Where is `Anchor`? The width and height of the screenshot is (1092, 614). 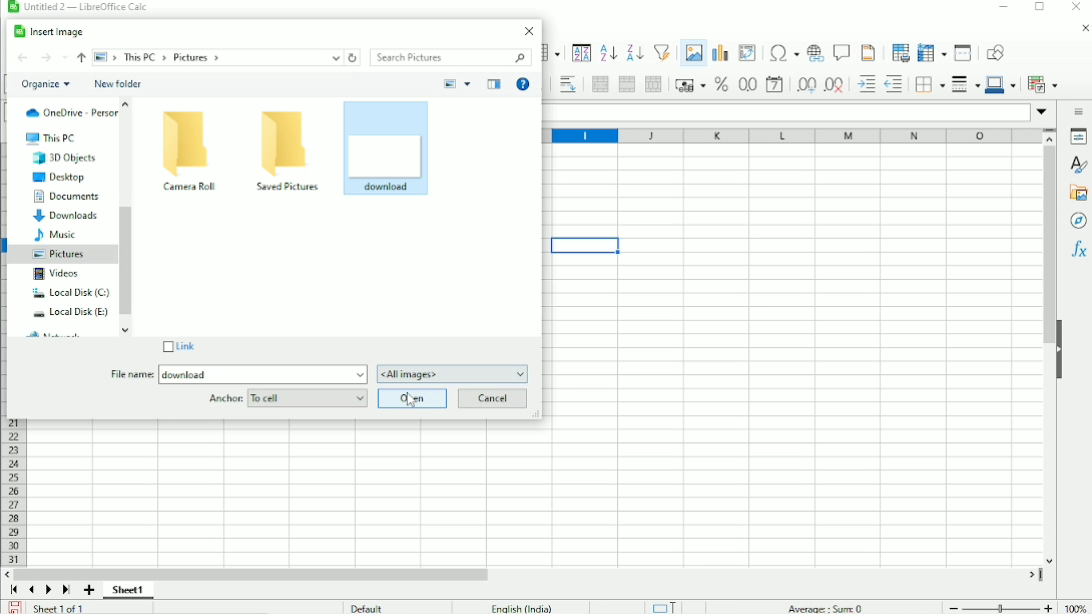
Anchor is located at coordinates (222, 397).